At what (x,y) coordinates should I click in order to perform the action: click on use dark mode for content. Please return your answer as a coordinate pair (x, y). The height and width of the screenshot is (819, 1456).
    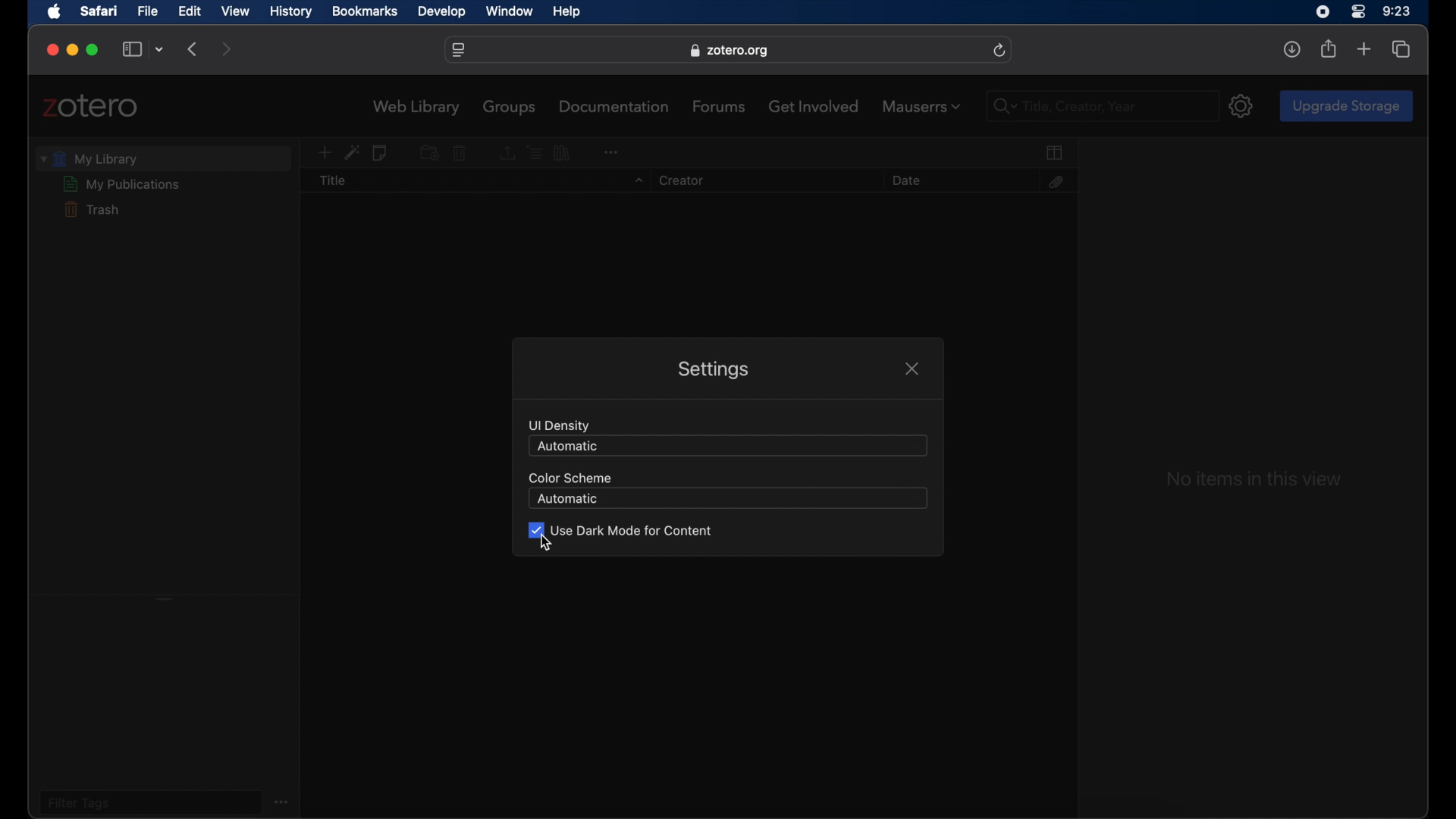
    Looking at the image, I should click on (620, 530).